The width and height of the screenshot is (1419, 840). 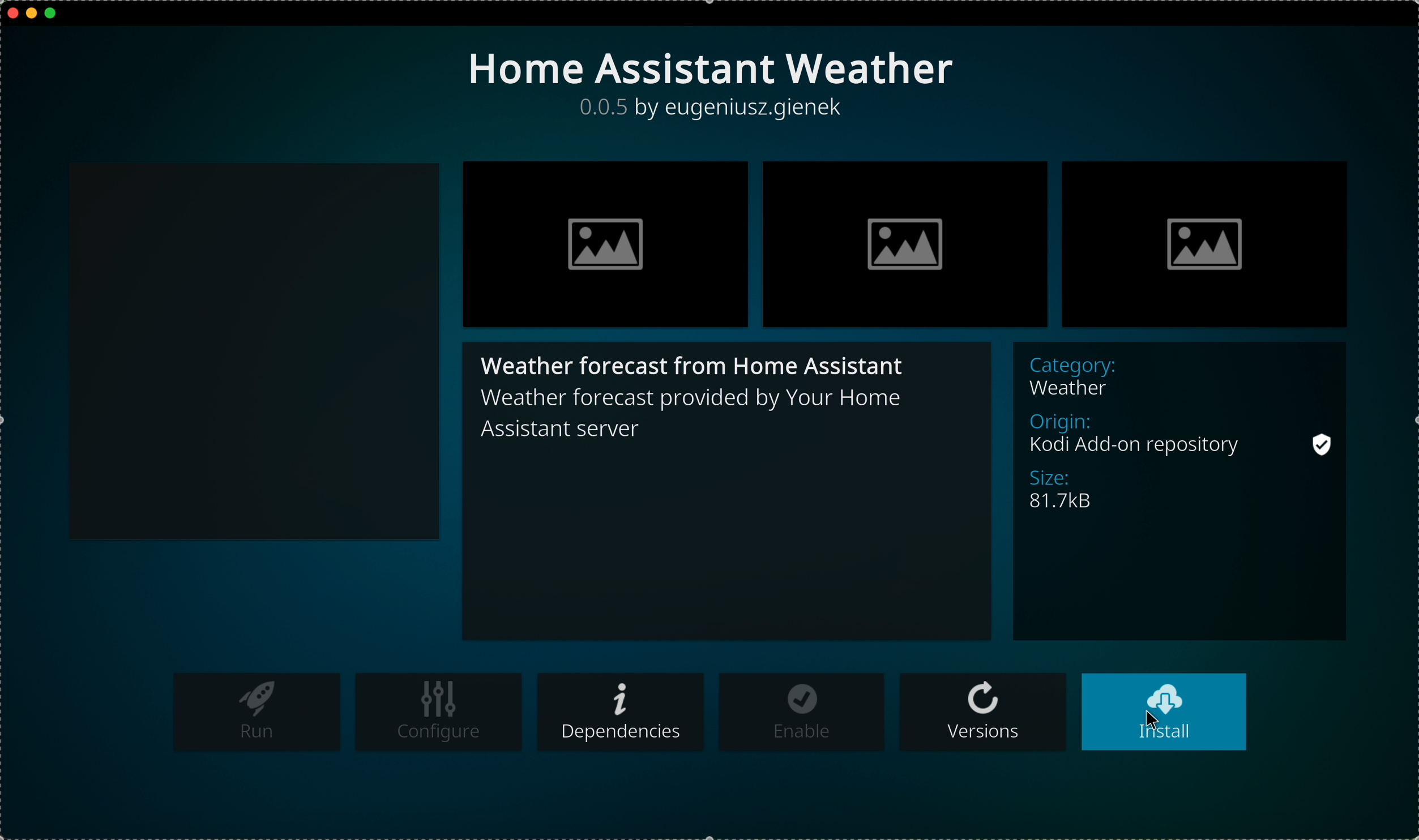 I want to click on click on install, so click(x=1164, y=712).